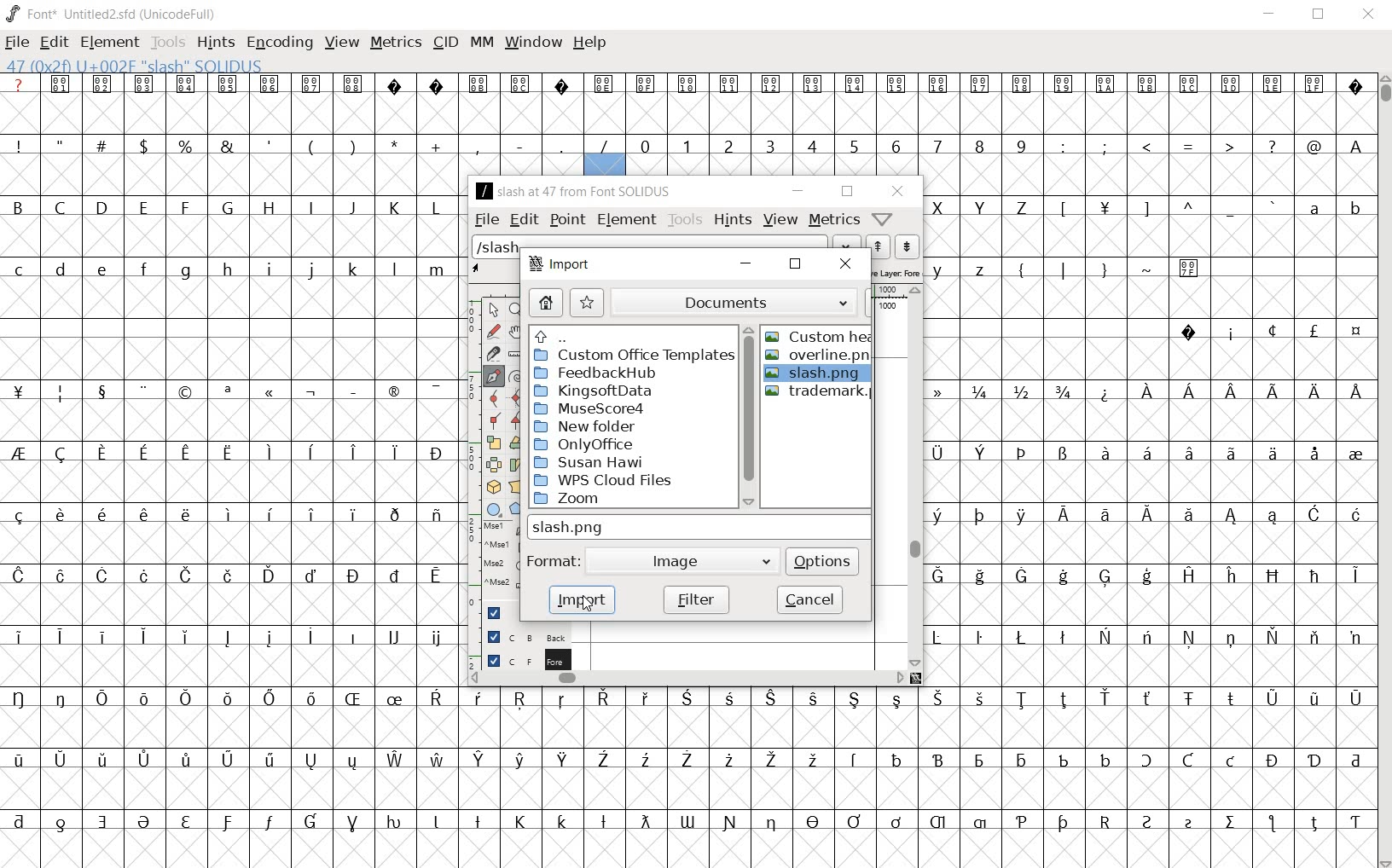 This screenshot has height=868, width=1392. What do you see at coordinates (486, 219) in the screenshot?
I see `file` at bounding box center [486, 219].